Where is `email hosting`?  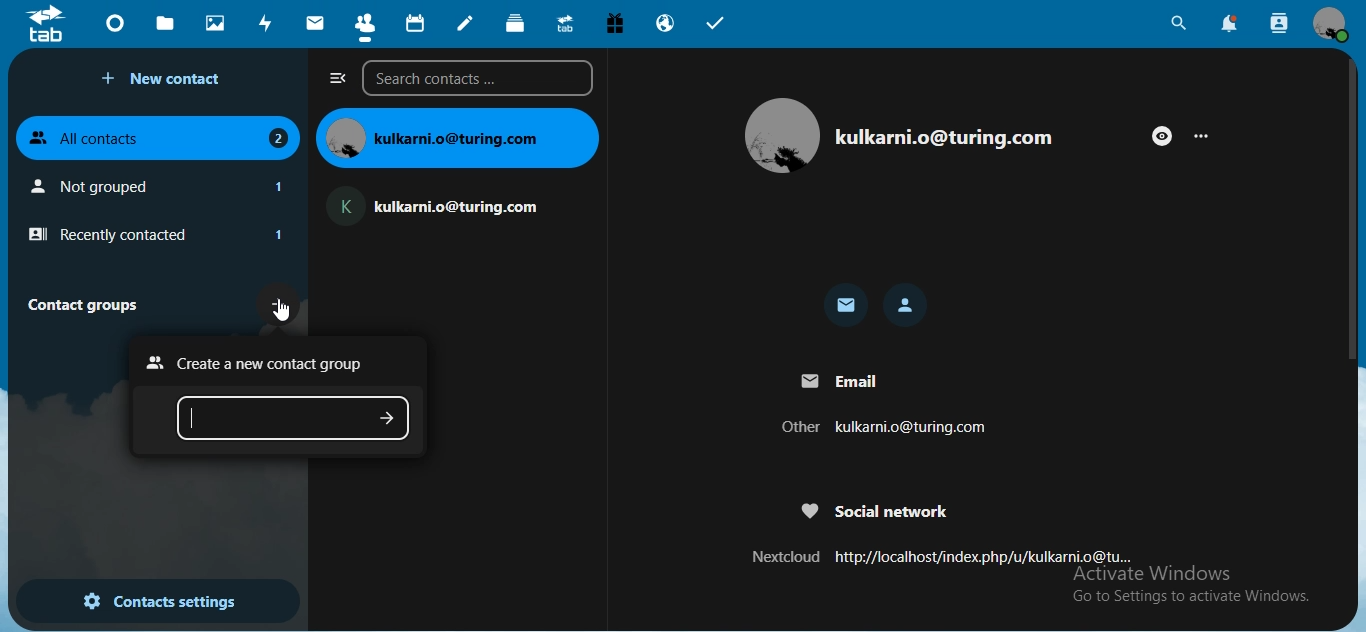
email hosting is located at coordinates (666, 23).